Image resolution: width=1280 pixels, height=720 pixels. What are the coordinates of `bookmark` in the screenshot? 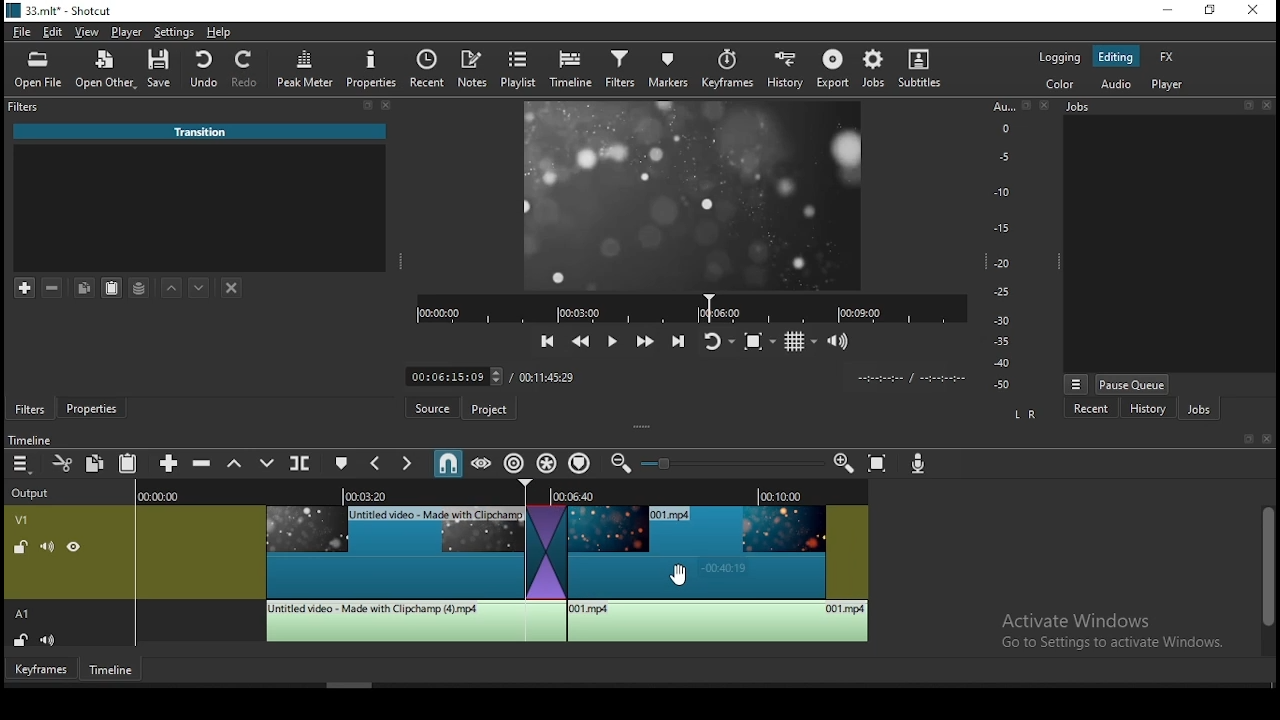 It's located at (1244, 439).